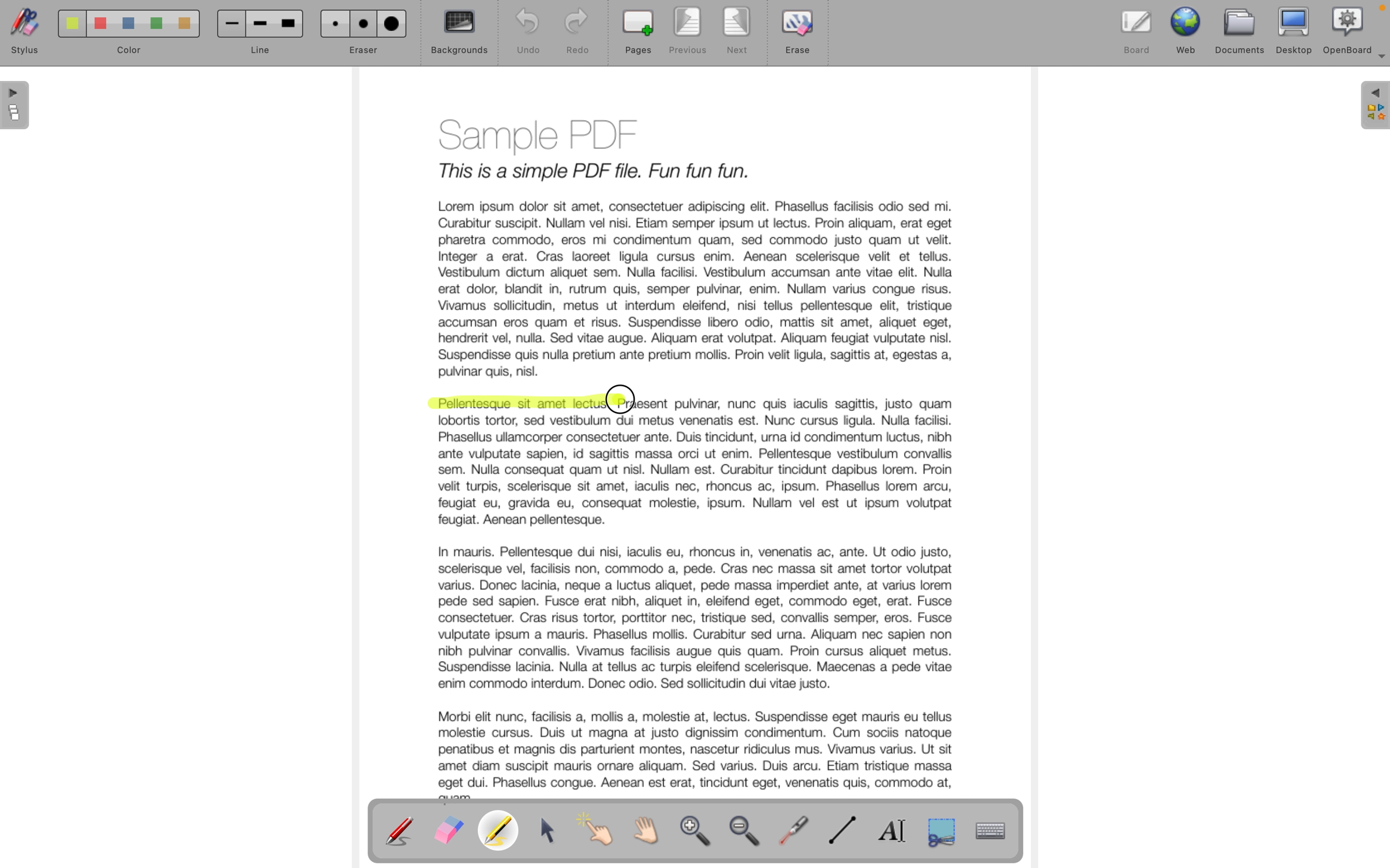  Describe the element at coordinates (601, 835) in the screenshot. I see `interact with items` at that location.